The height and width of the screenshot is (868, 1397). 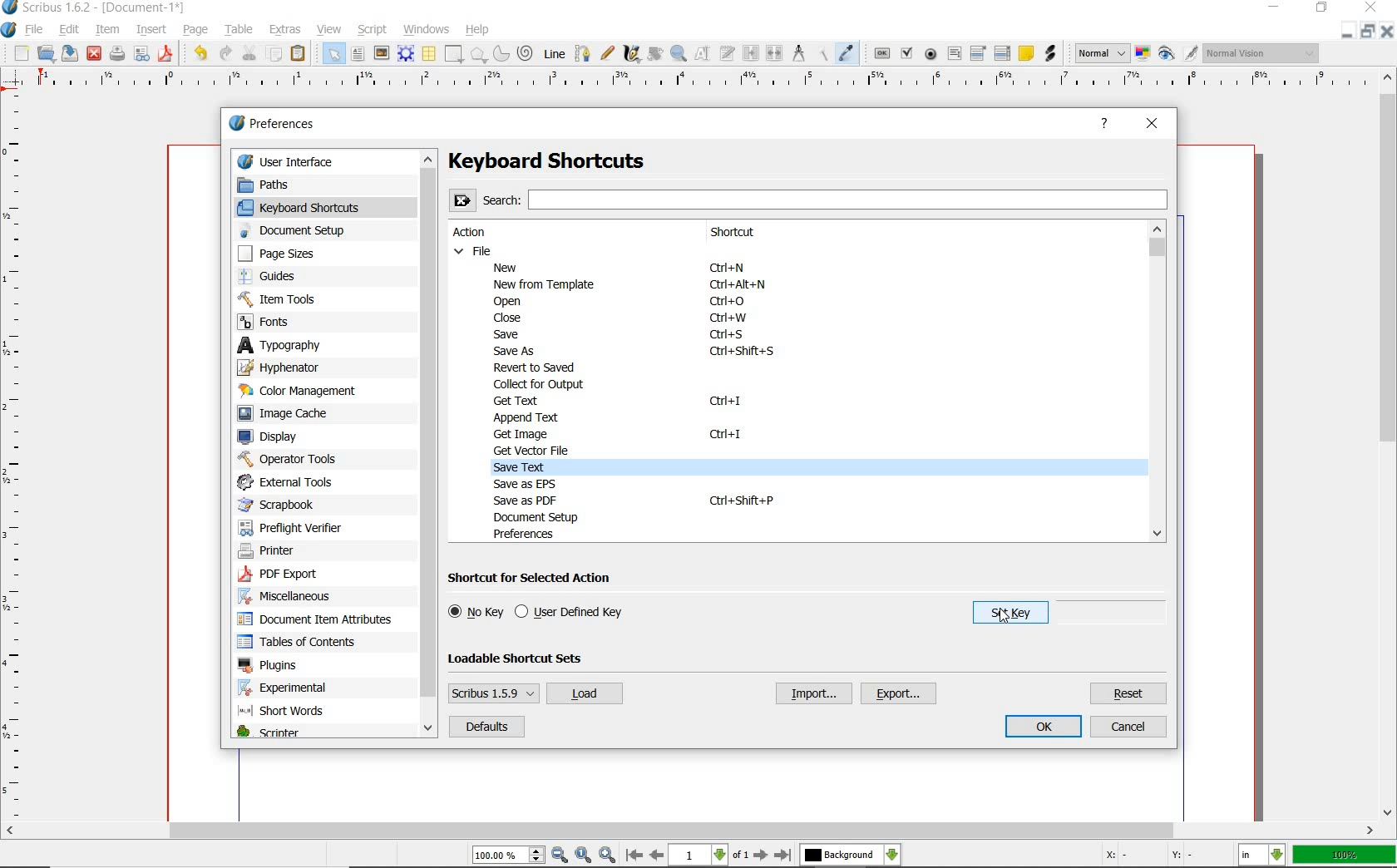 I want to click on Ctrl + 1, so click(x=727, y=435).